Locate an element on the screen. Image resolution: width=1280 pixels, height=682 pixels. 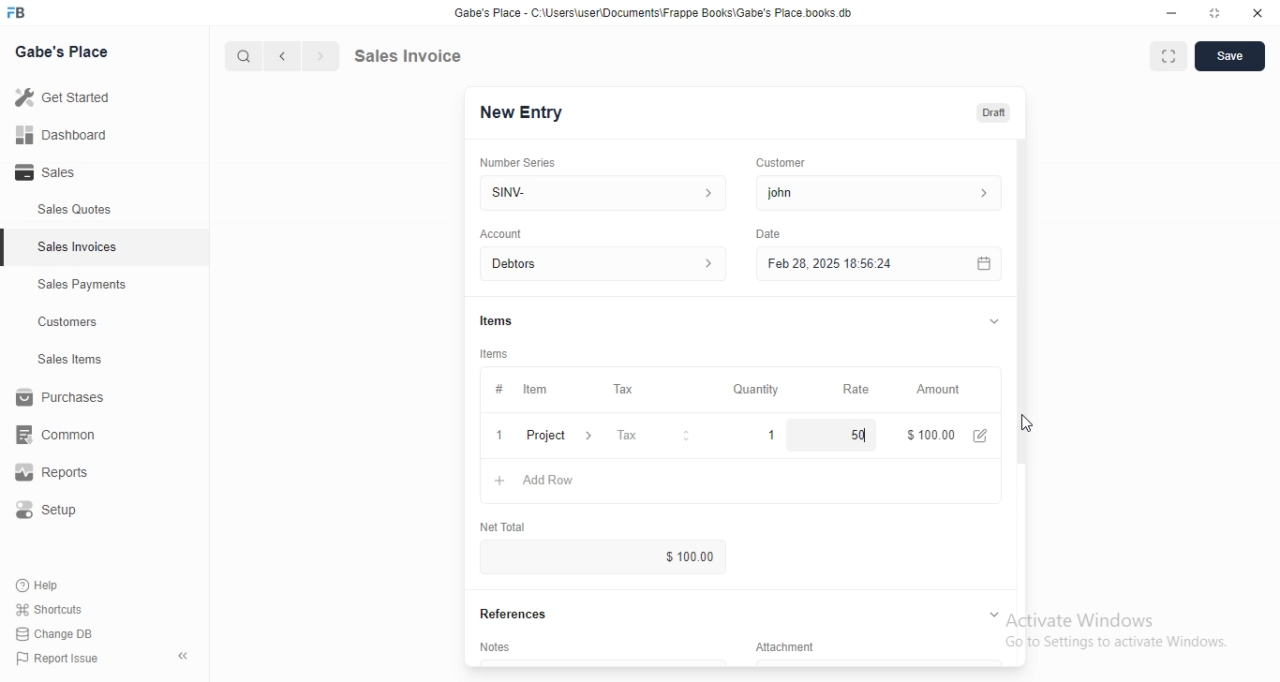
Reports is located at coordinates (65, 475).